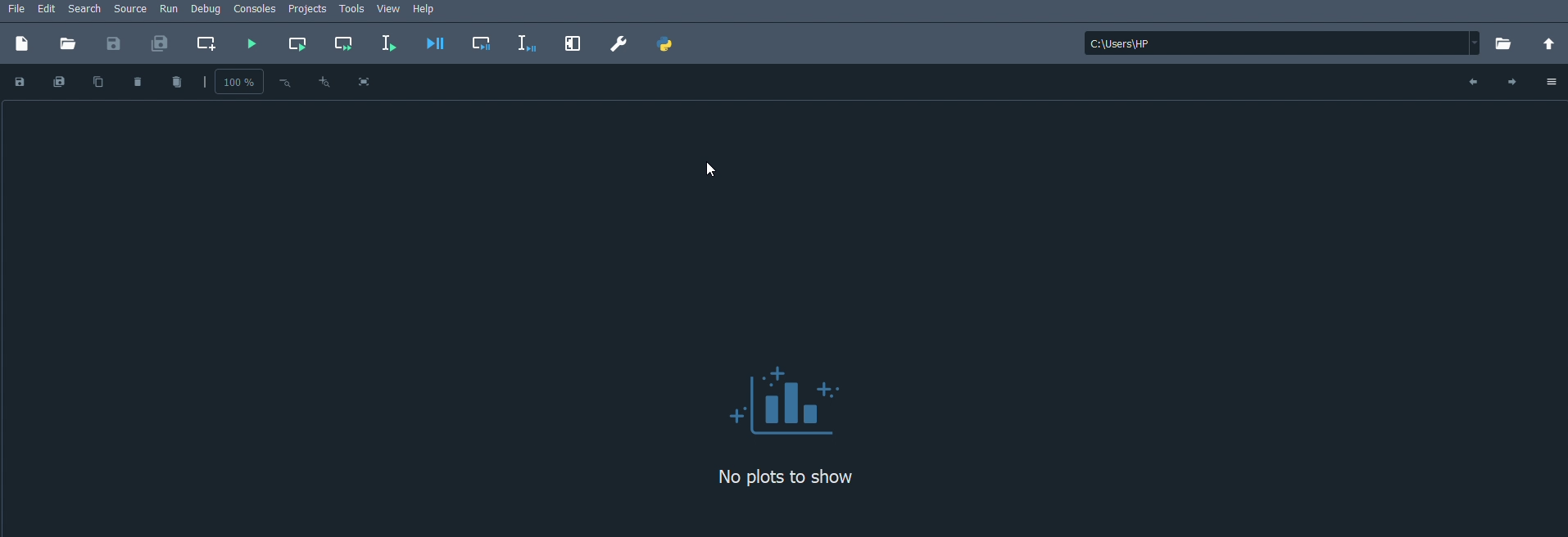 The width and height of the screenshot is (1568, 537). Describe the element at coordinates (68, 43) in the screenshot. I see `Open file` at that location.